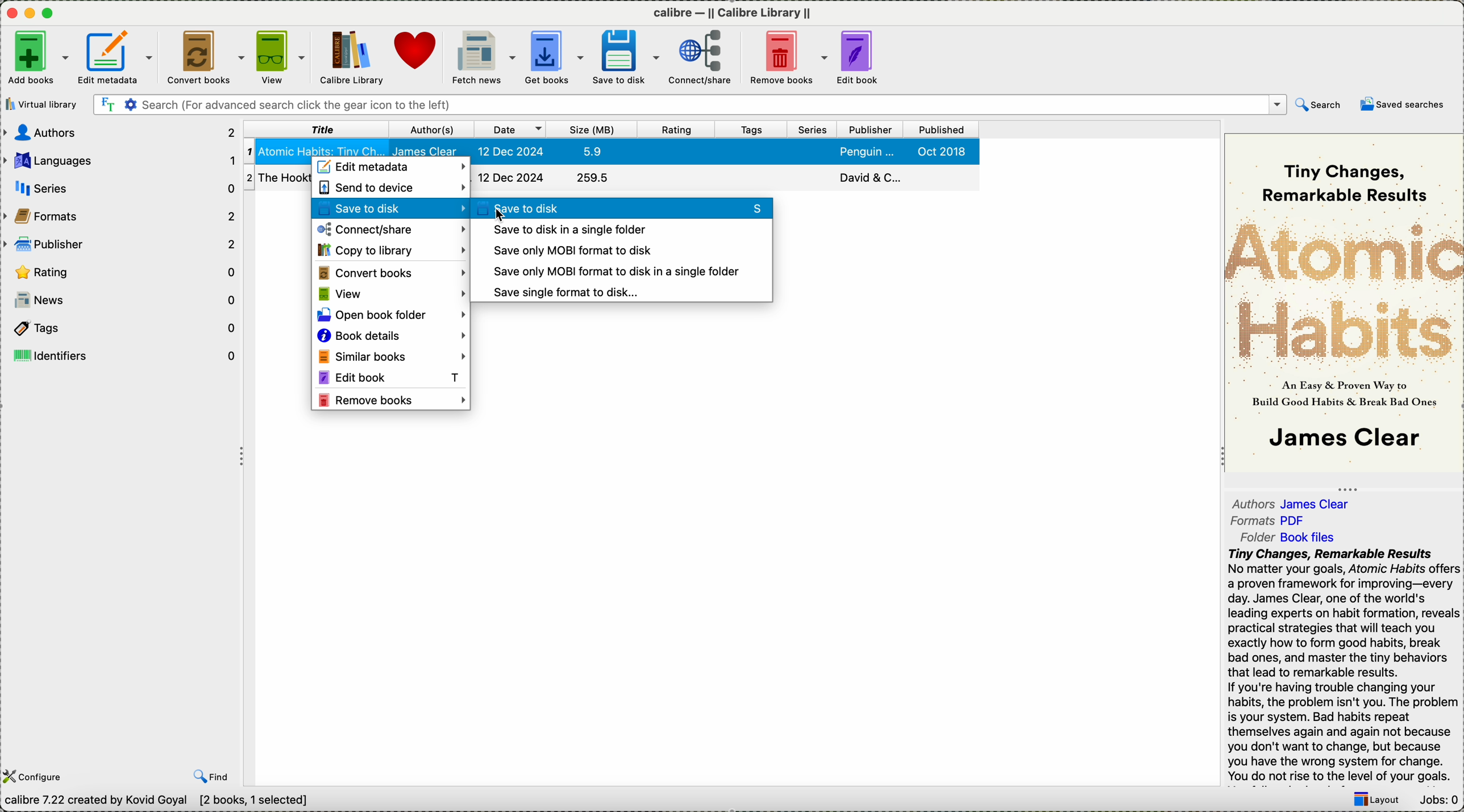  What do you see at coordinates (1344, 302) in the screenshot?
I see `book cover preview` at bounding box center [1344, 302].